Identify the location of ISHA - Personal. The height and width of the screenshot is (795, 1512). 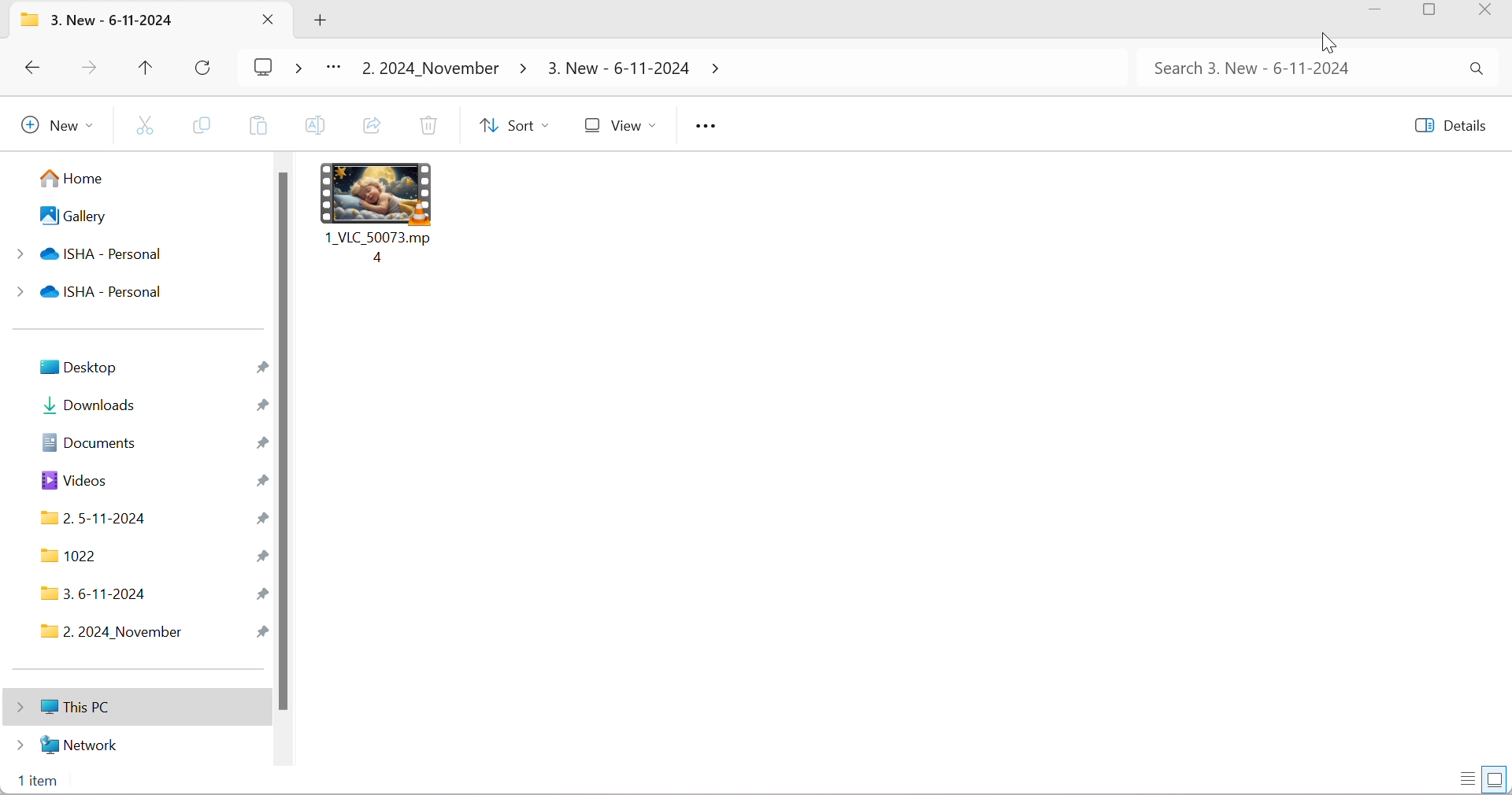
(88, 256).